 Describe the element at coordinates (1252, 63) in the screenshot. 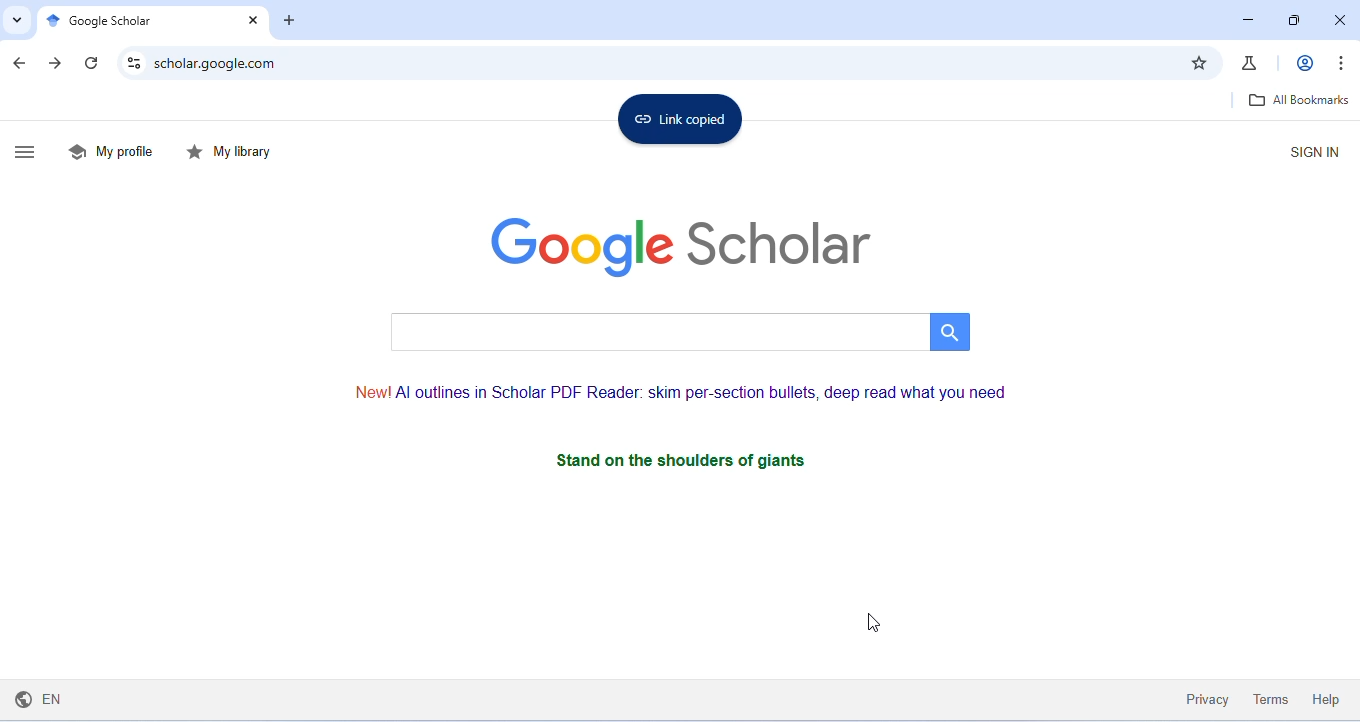

I see `chrome labs` at that location.